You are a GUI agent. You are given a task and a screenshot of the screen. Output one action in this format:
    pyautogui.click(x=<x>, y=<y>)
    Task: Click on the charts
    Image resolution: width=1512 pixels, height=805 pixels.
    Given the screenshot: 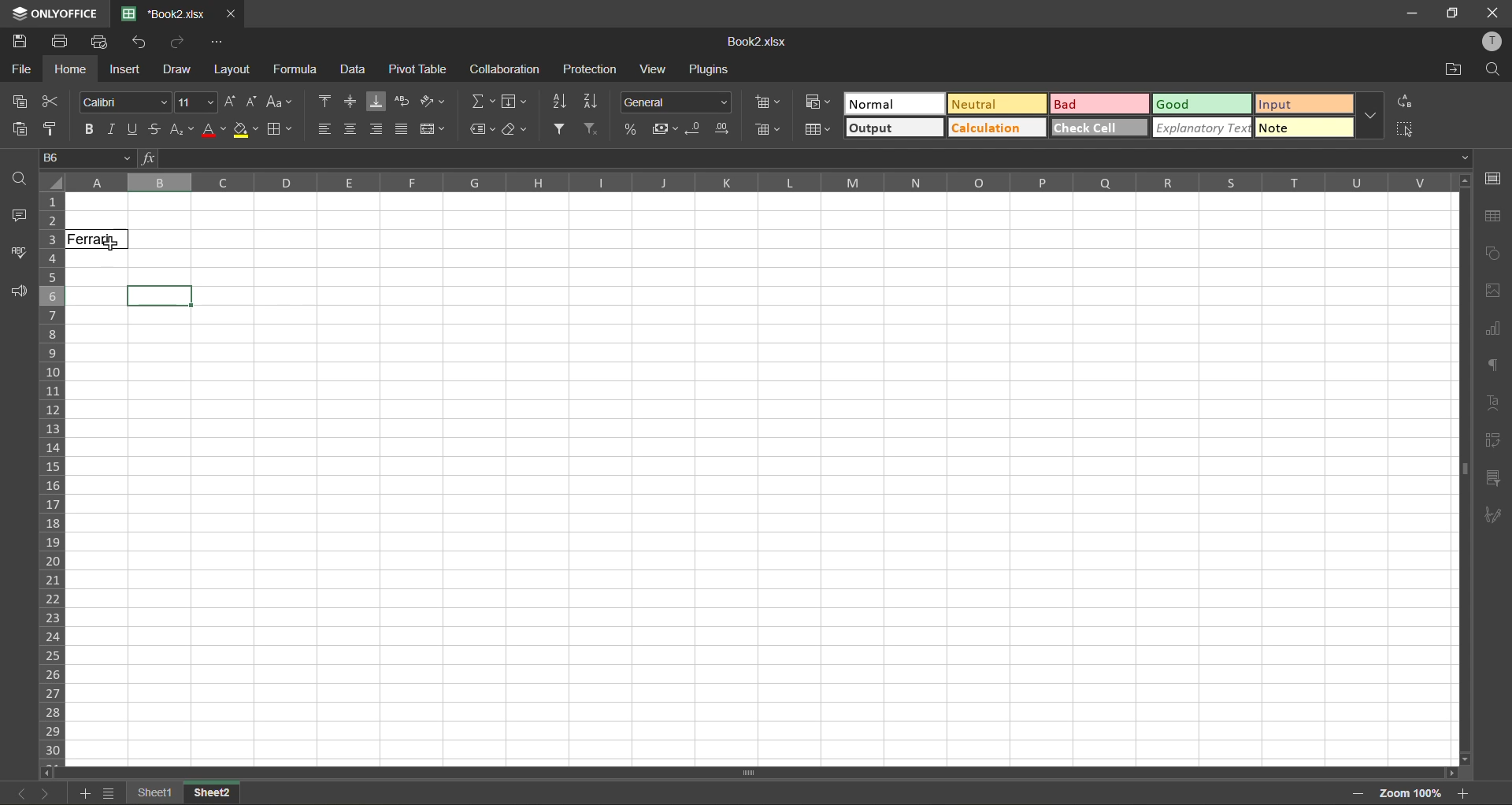 What is the action you would take?
    pyautogui.click(x=1492, y=329)
    